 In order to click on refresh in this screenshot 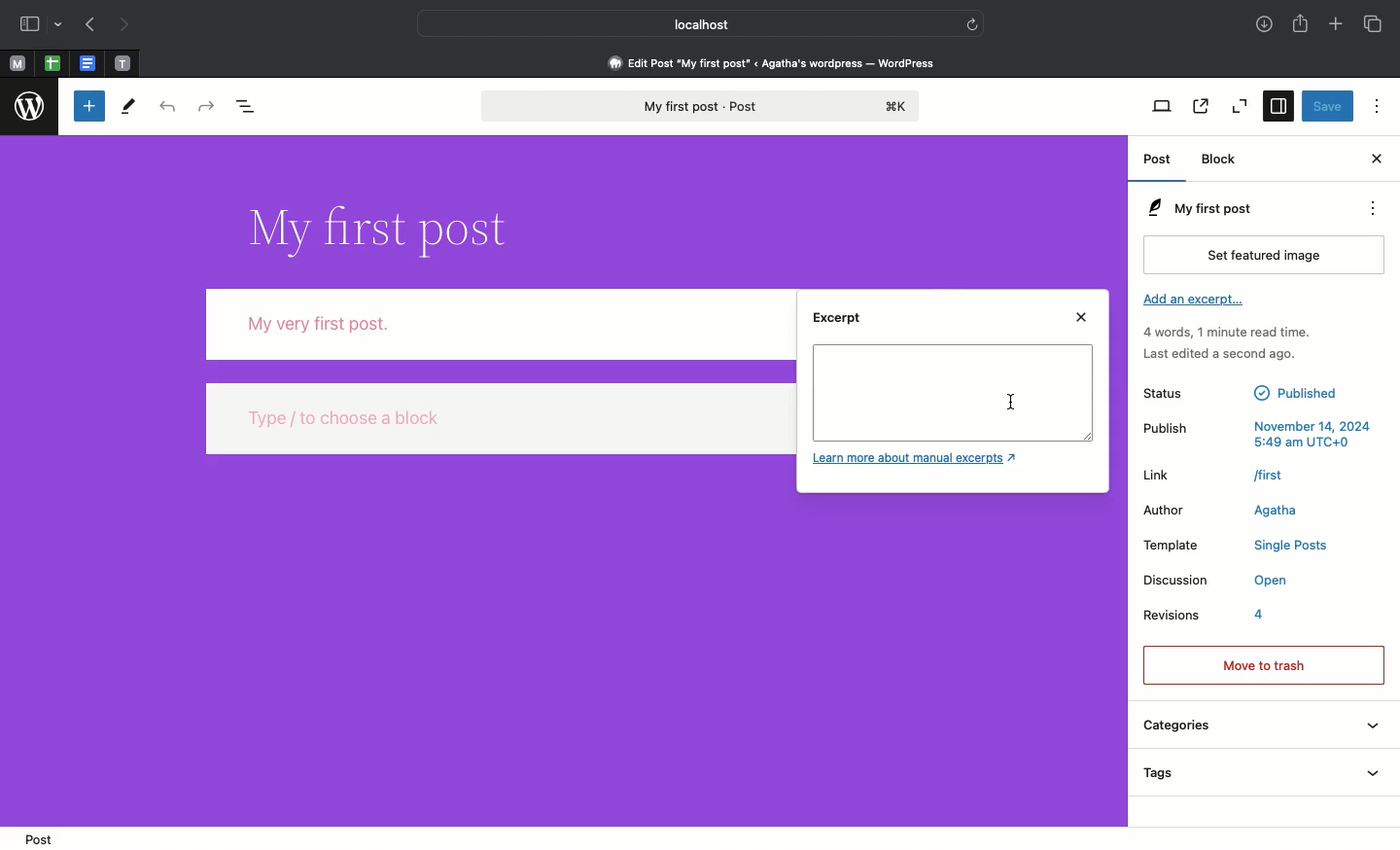, I will do `click(975, 21)`.